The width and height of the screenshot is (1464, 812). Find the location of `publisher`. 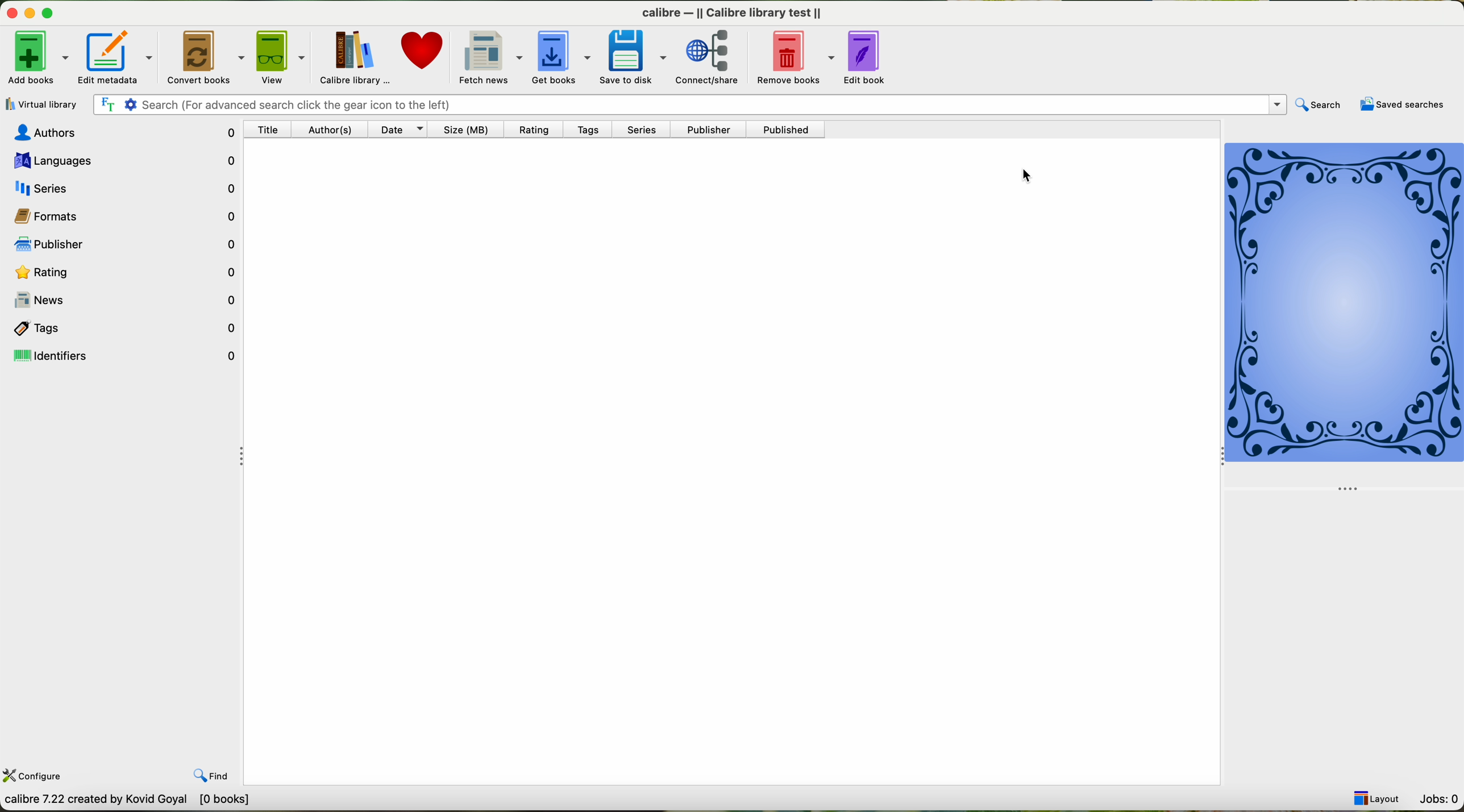

publisher is located at coordinates (123, 245).